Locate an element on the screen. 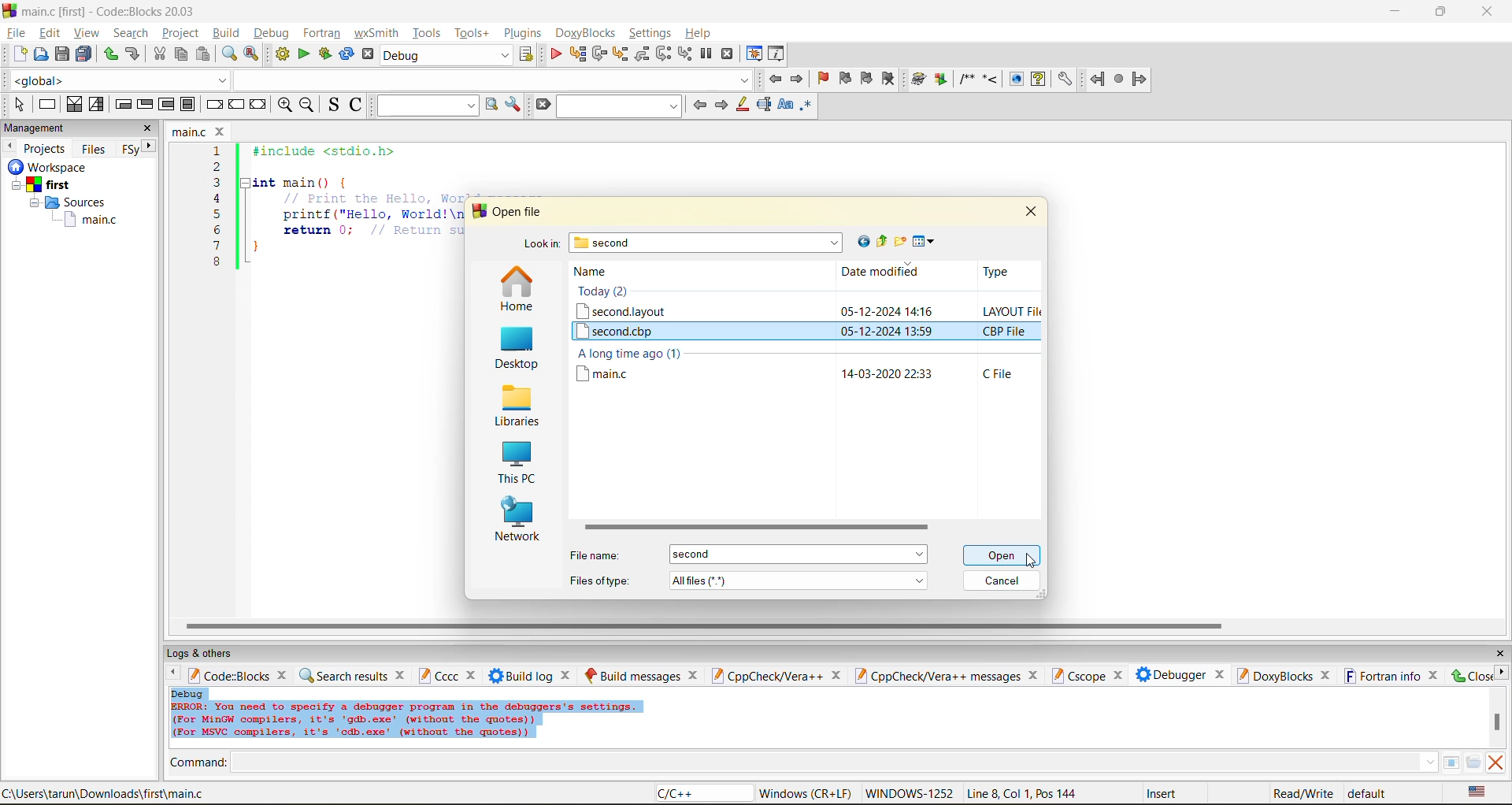 The width and height of the screenshot is (1512, 805). type is located at coordinates (994, 271).